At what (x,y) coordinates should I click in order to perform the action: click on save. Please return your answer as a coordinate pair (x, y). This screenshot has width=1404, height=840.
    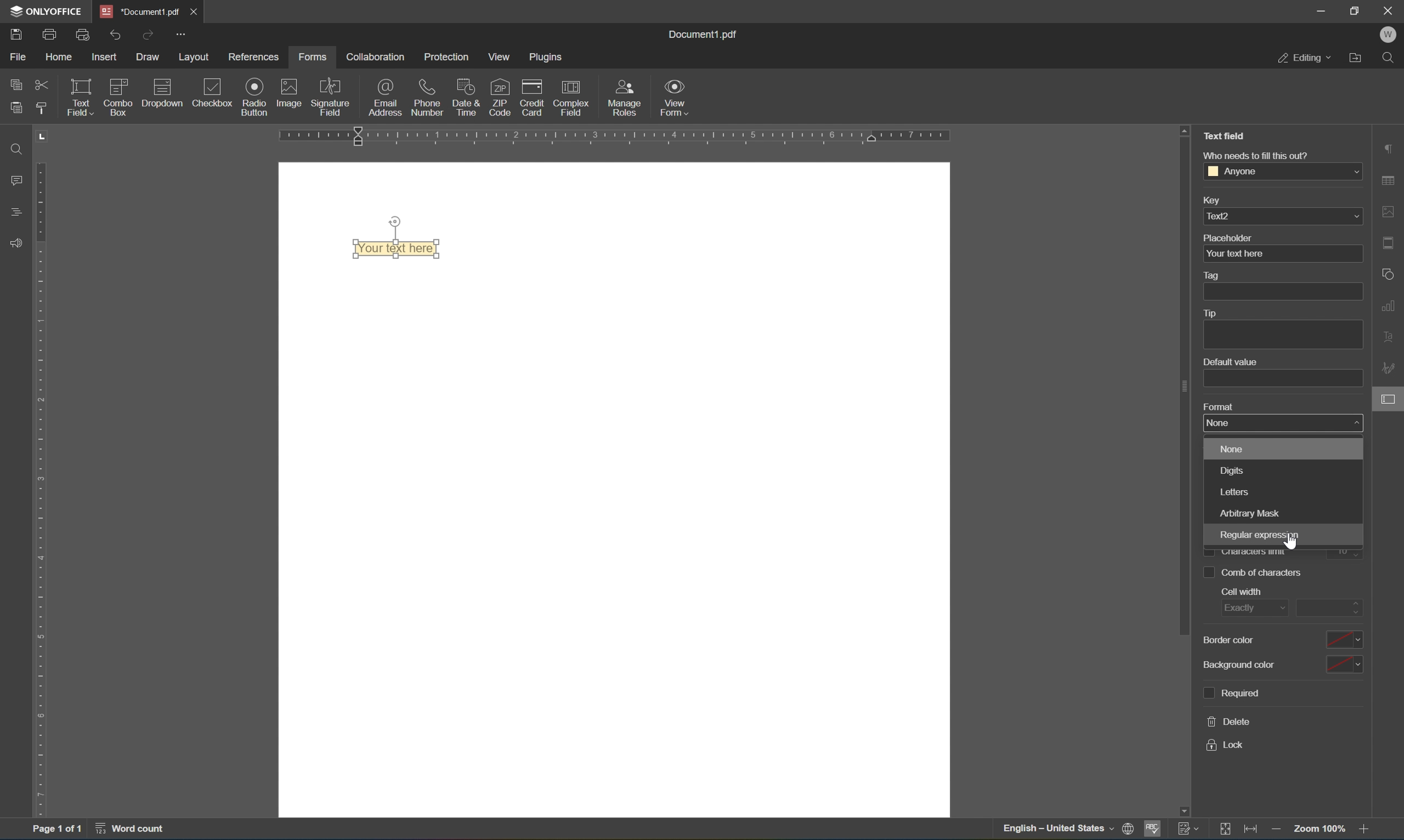
    Looking at the image, I should click on (17, 36).